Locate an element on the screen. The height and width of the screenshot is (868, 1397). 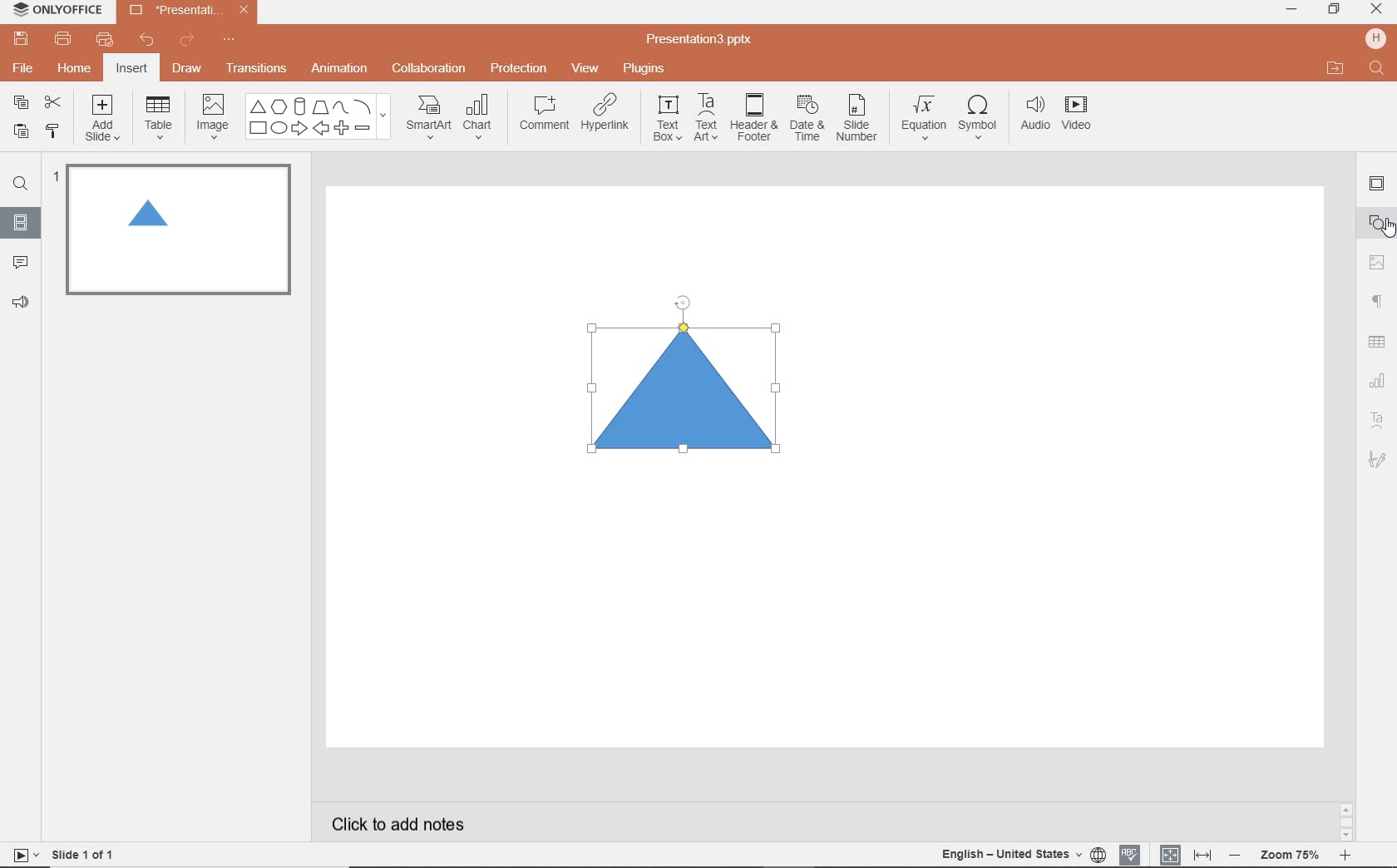
VIEW is located at coordinates (586, 70).